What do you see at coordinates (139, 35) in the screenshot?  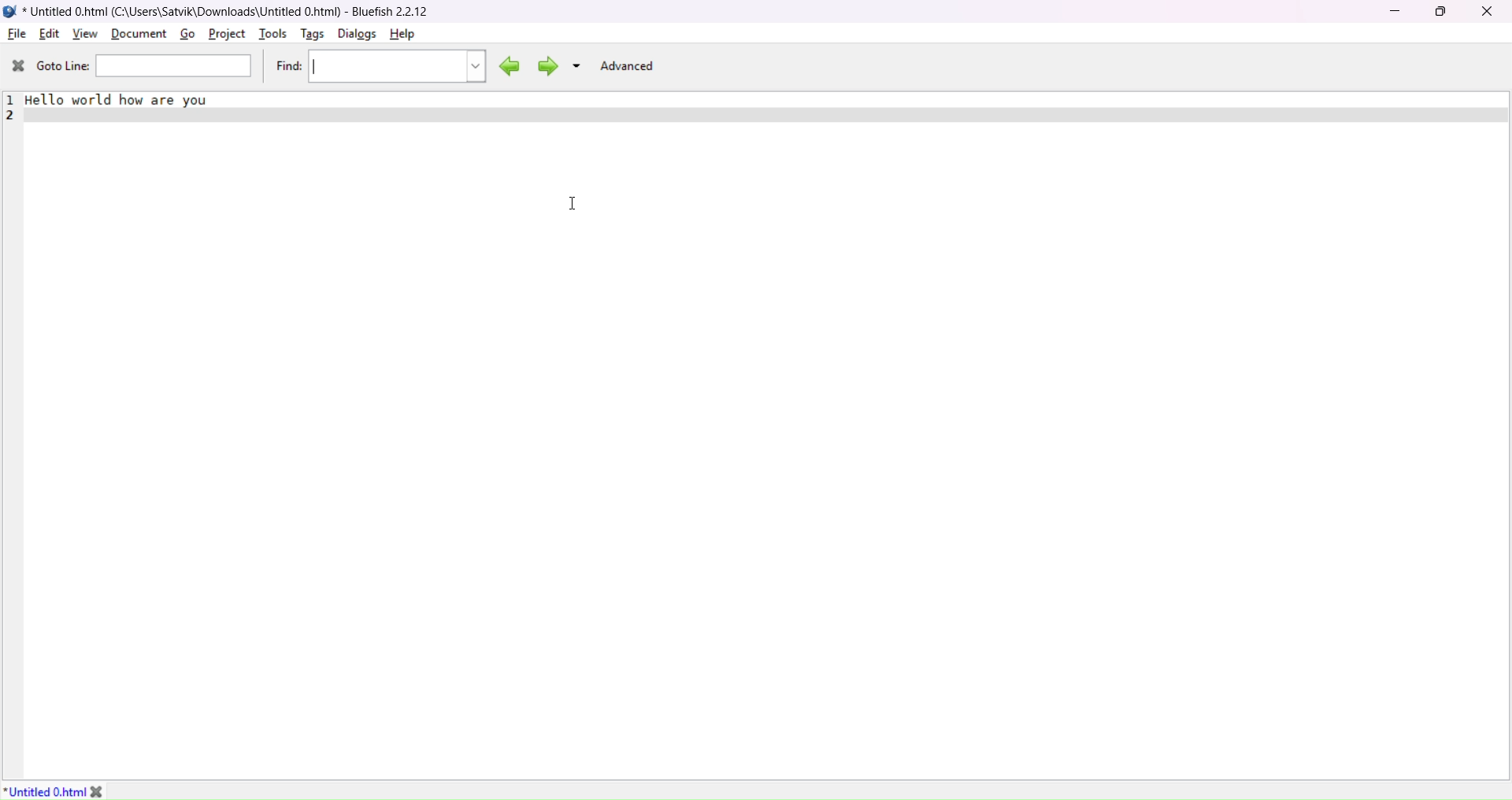 I see `document` at bounding box center [139, 35].